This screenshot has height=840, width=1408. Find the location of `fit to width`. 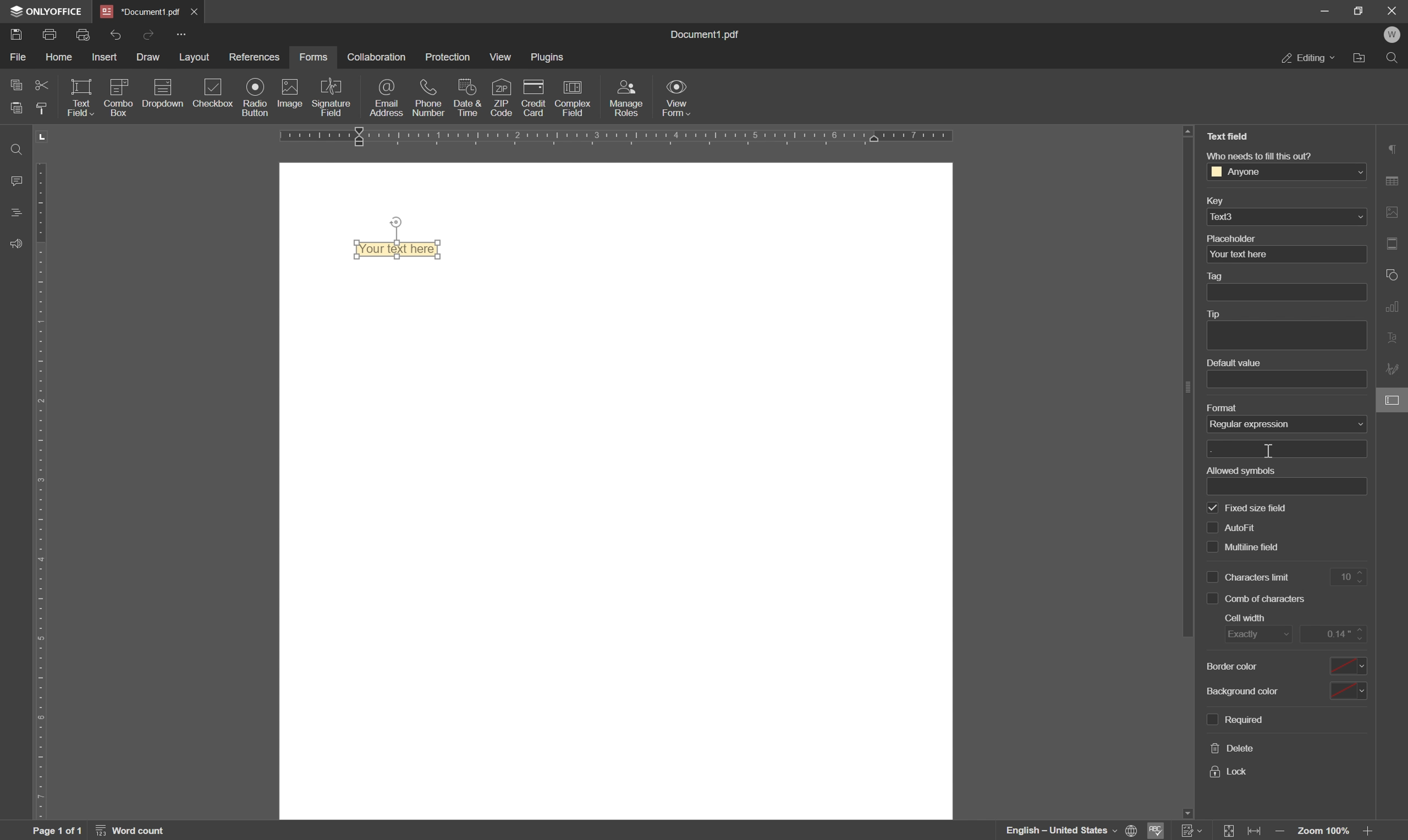

fit to width is located at coordinates (1257, 832).